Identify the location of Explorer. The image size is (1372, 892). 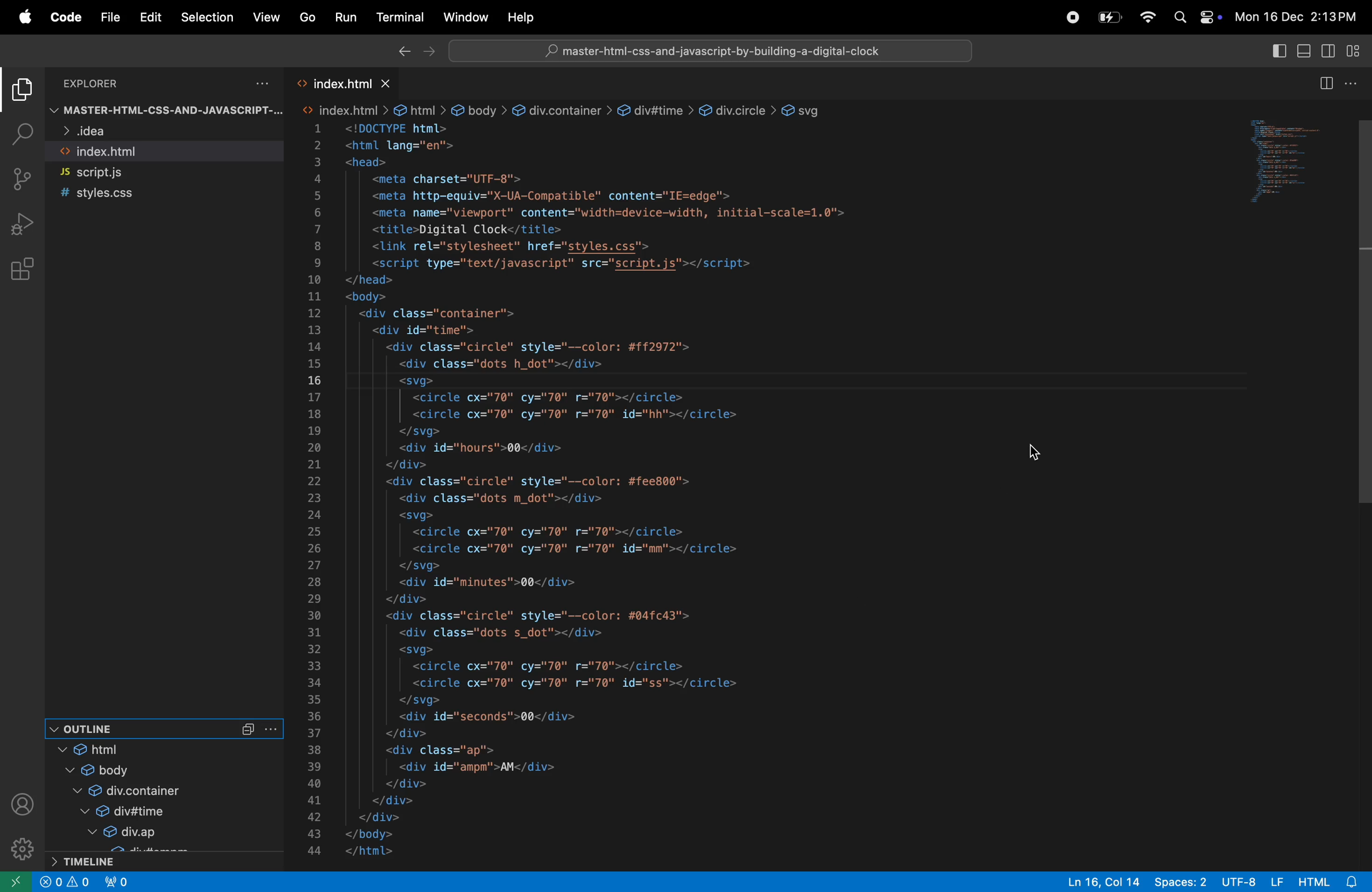
(104, 83).